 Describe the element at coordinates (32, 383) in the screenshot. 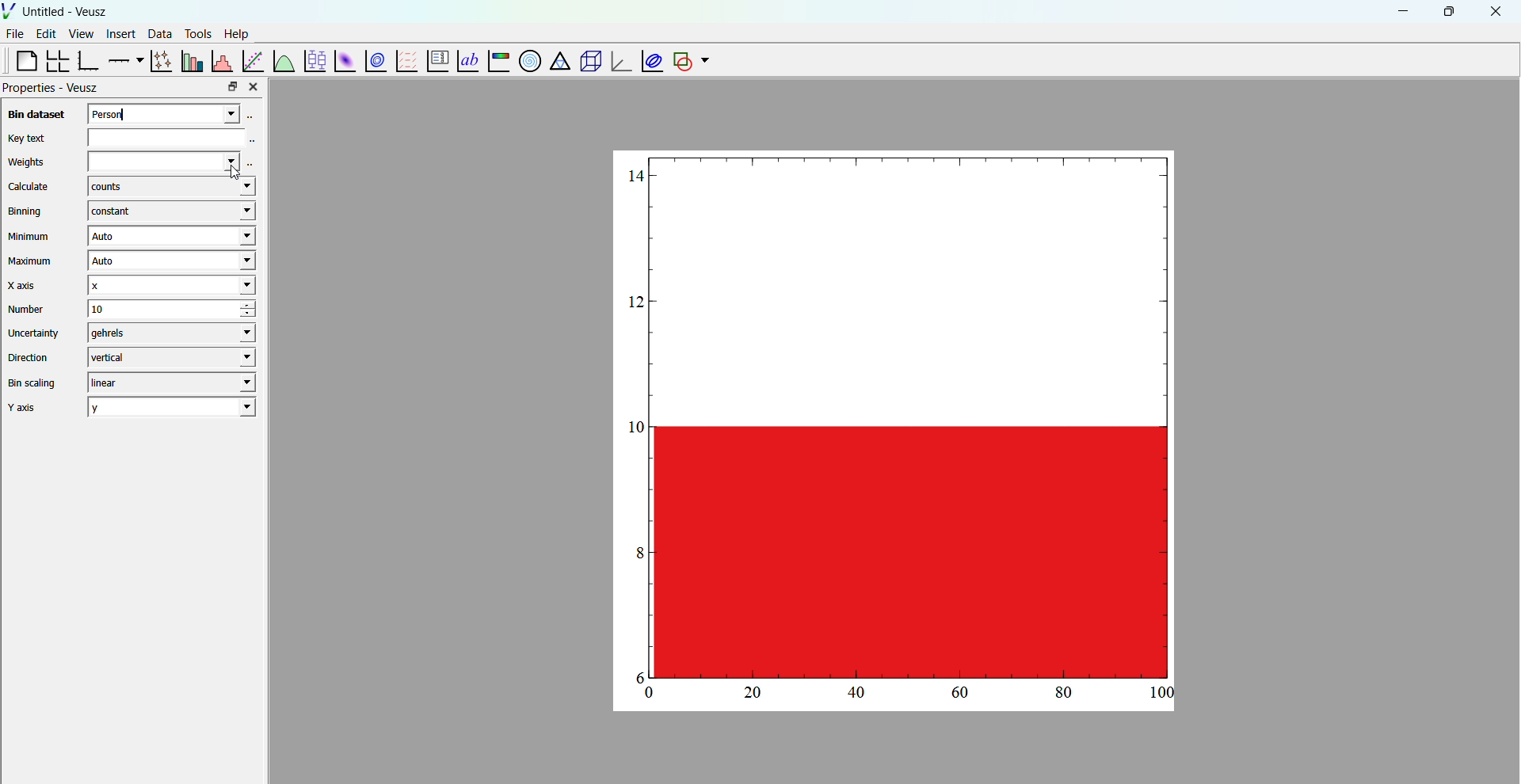

I see `Bin scaling` at that location.